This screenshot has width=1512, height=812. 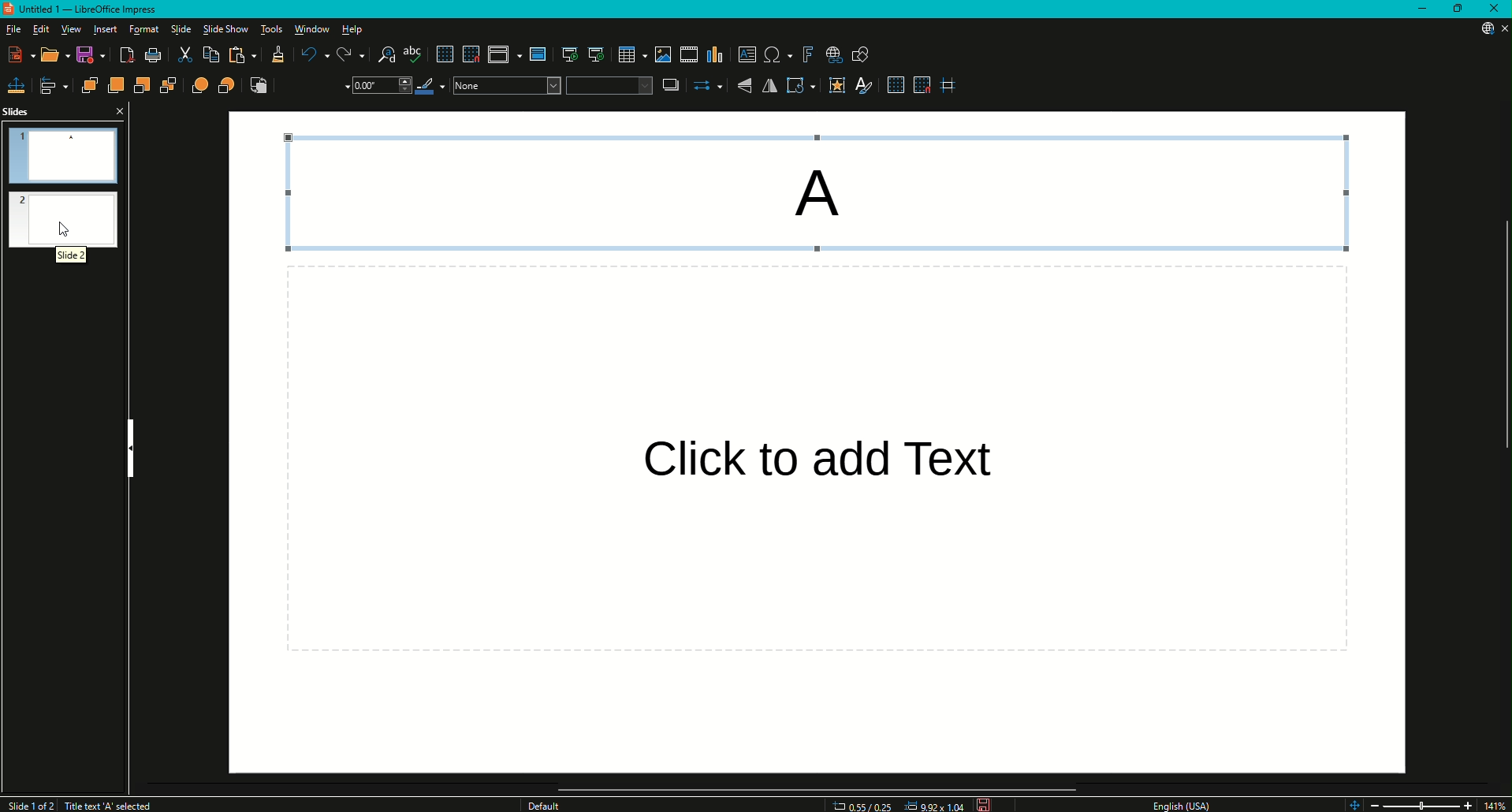 What do you see at coordinates (746, 87) in the screenshot?
I see `Vertically` at bounding box center [746, 87].